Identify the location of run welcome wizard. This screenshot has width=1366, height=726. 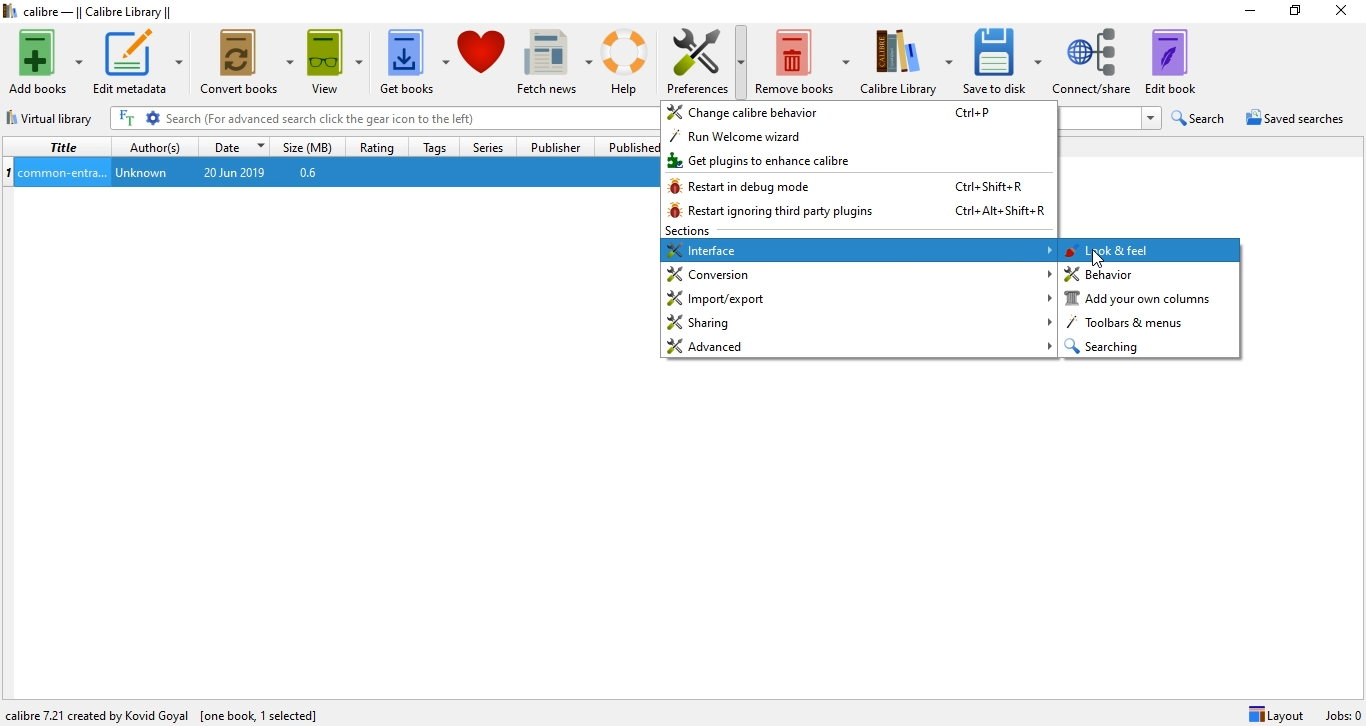
(860, 139).